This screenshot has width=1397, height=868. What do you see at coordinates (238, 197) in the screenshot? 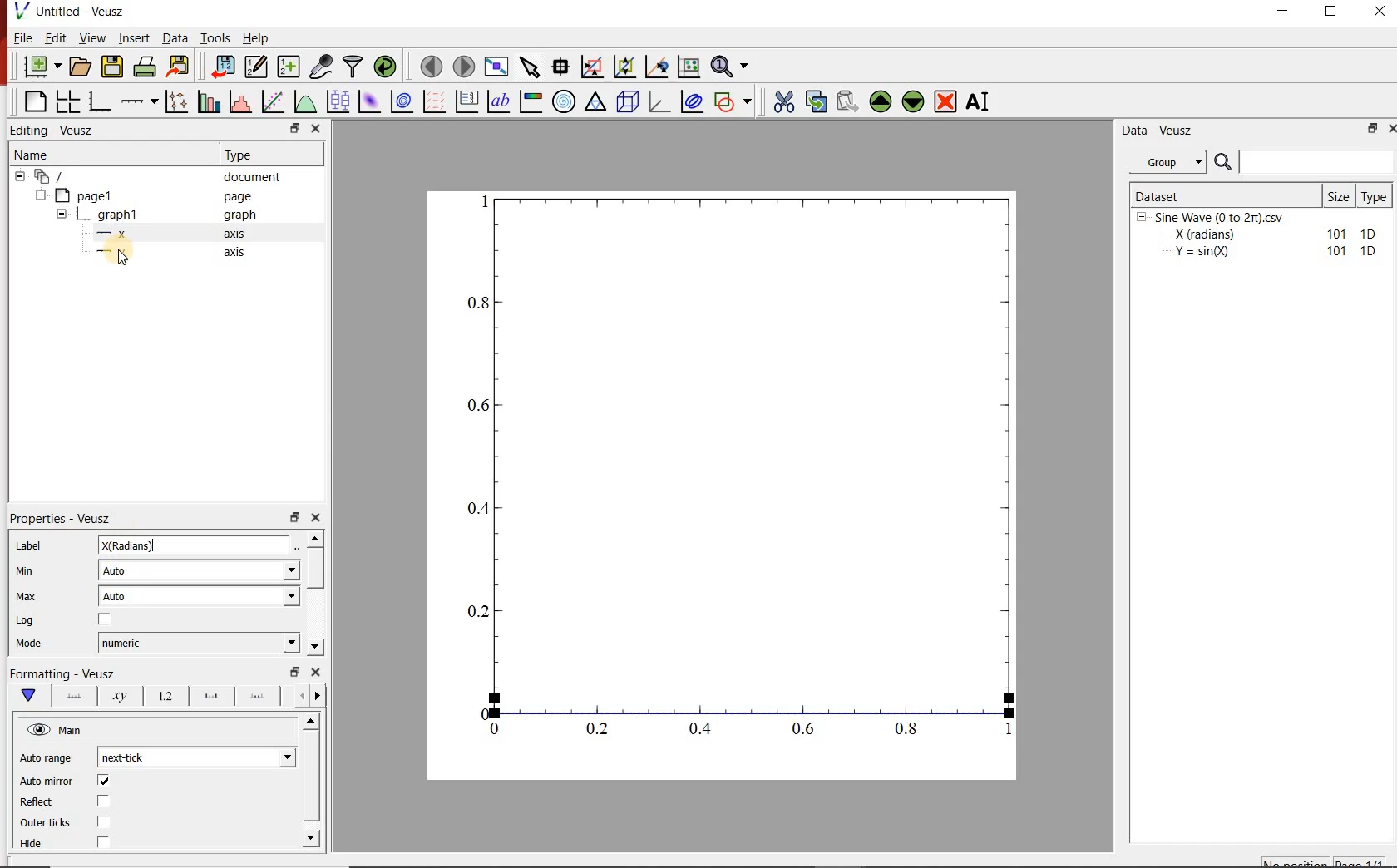
I see `page` at bounding box center [238, 197].